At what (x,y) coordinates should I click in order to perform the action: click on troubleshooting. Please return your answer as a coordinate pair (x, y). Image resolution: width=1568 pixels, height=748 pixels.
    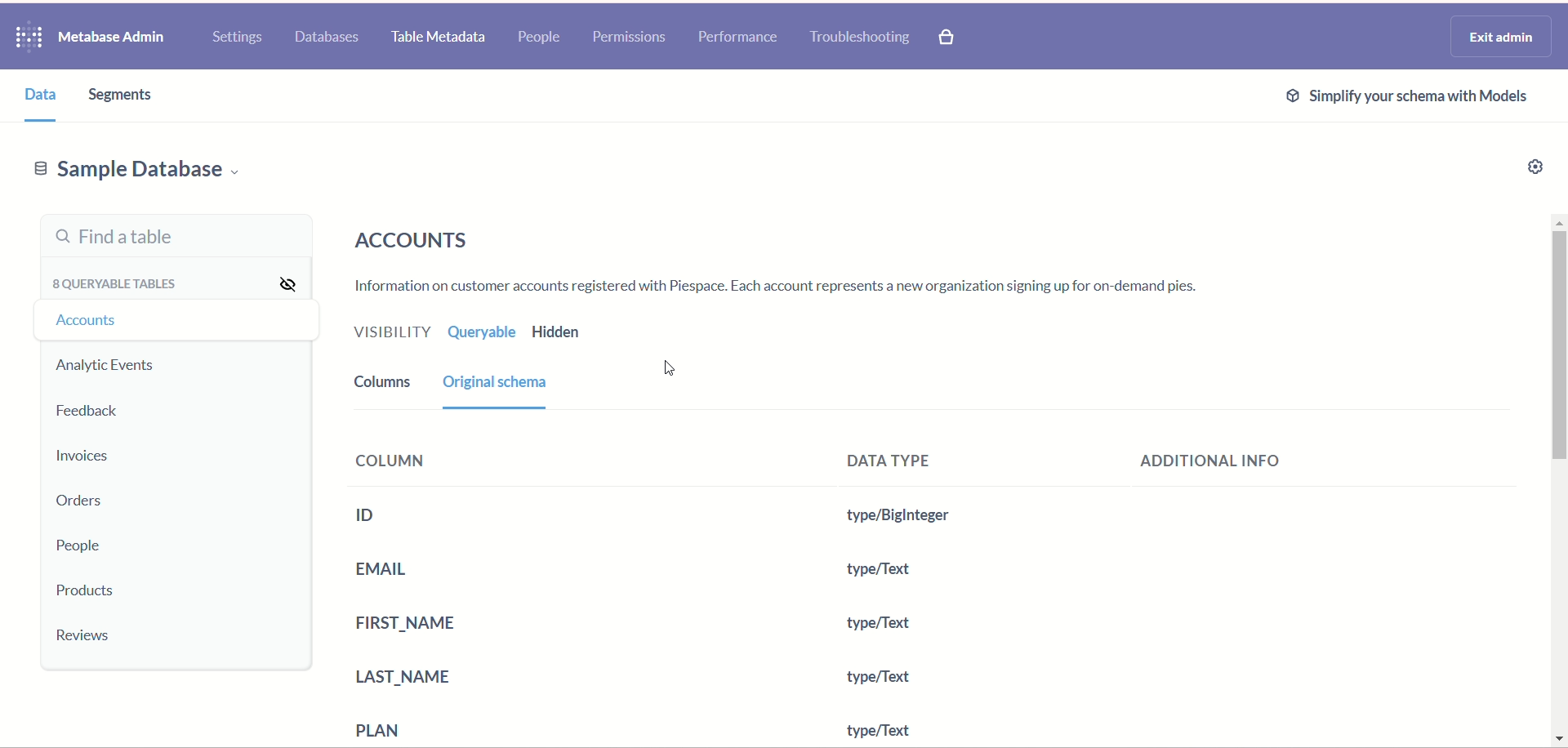
    Looking at the image, I should click on (863, 38).